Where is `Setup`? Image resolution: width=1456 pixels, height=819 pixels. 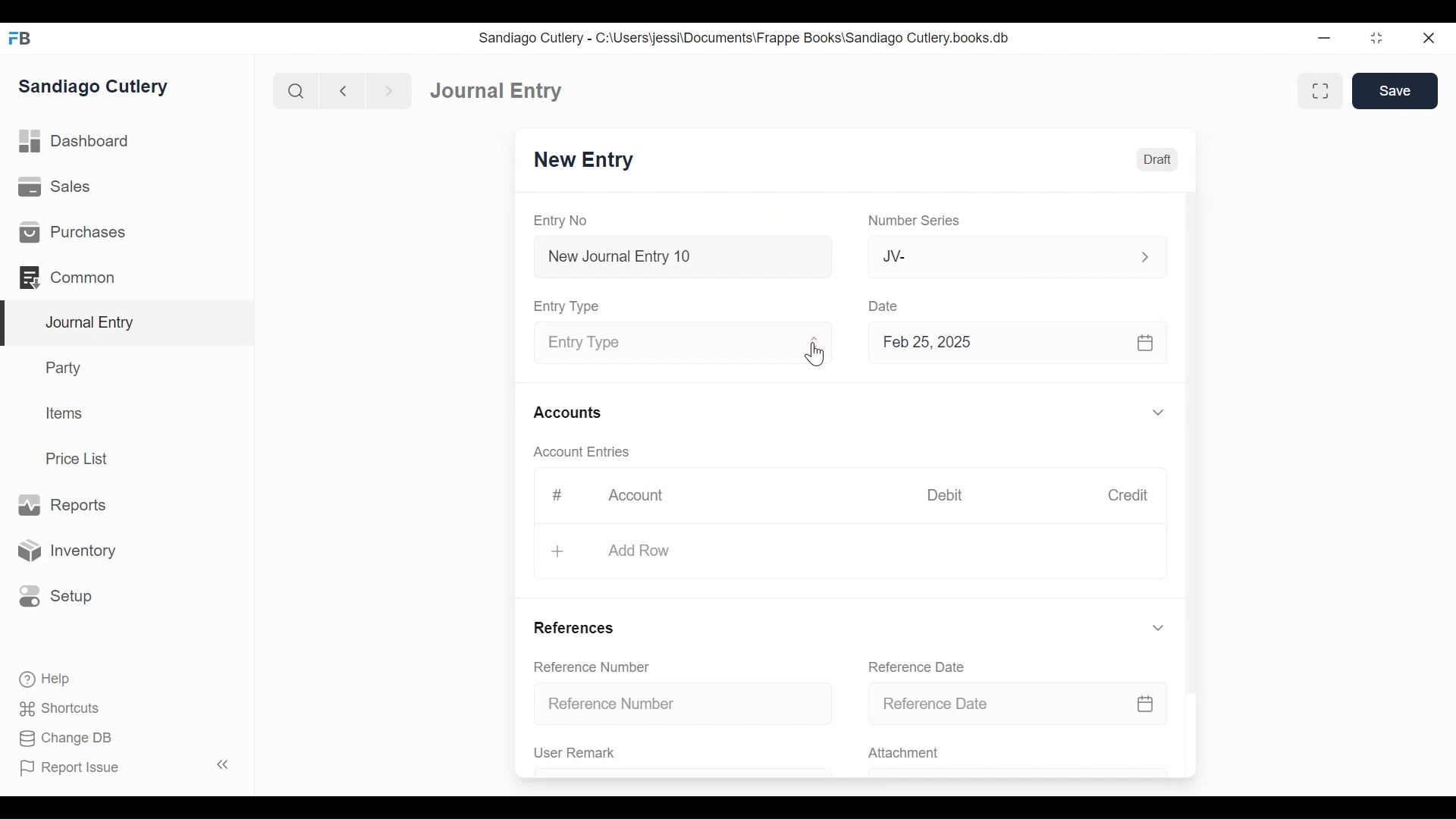 Setup is located at coordinates (56, 595).